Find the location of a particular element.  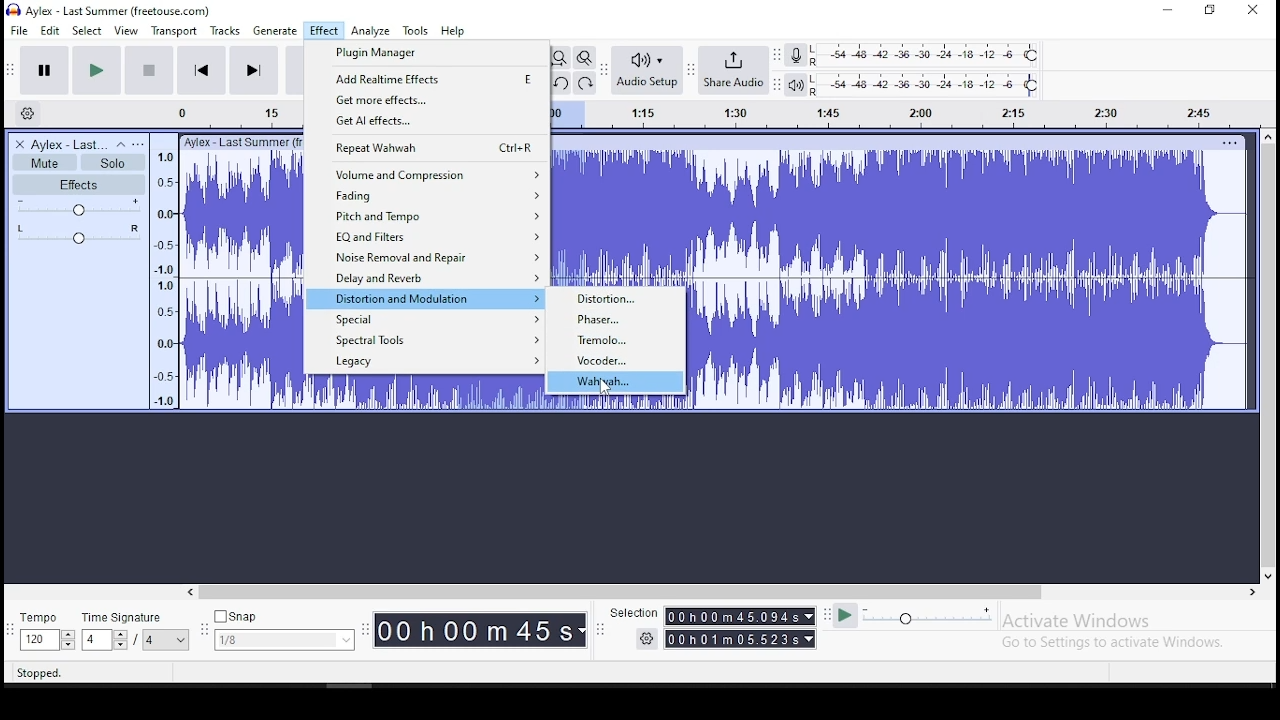

time signature is located at coordinates (136, 633).